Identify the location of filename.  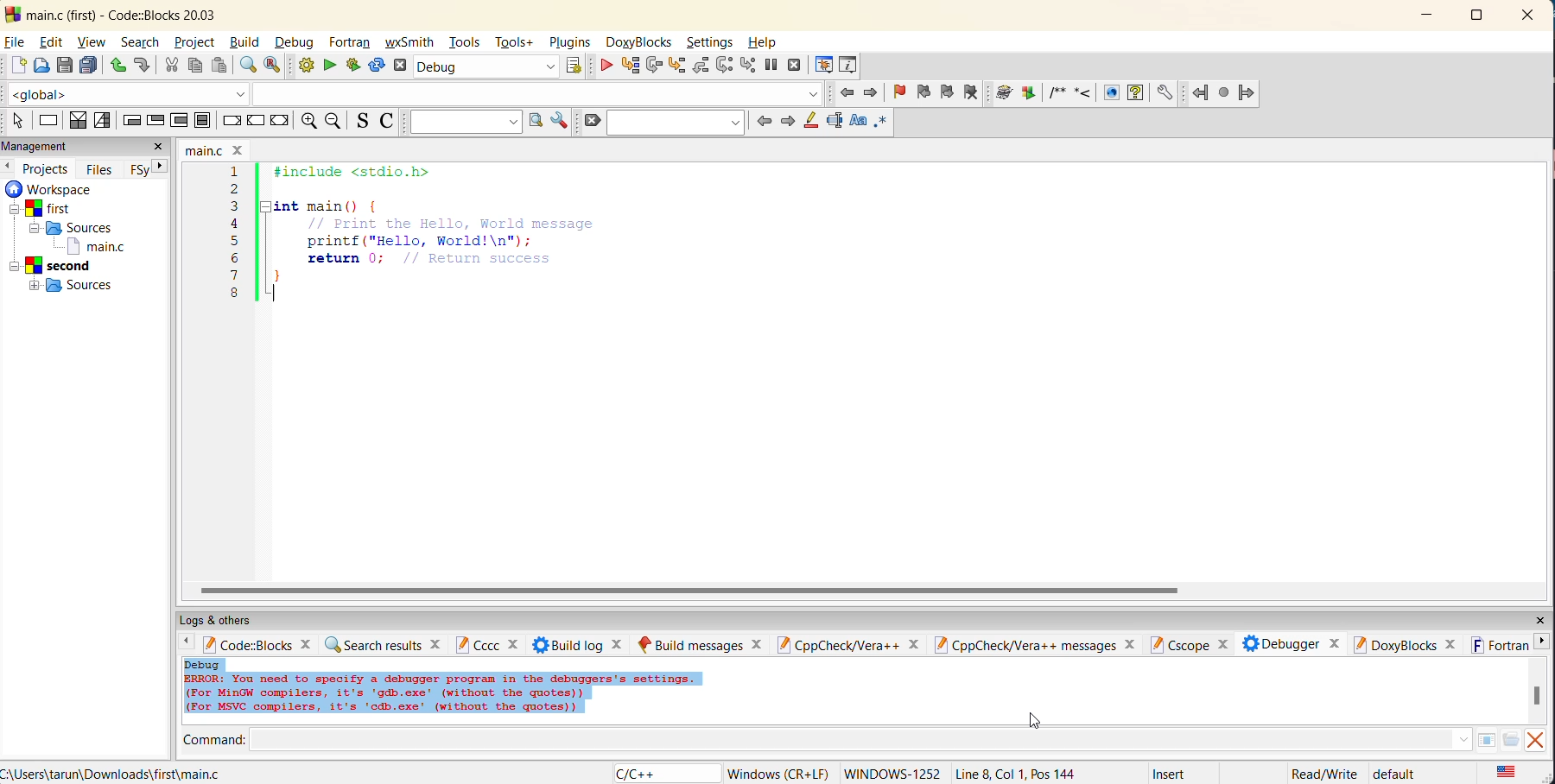
(213, 149).